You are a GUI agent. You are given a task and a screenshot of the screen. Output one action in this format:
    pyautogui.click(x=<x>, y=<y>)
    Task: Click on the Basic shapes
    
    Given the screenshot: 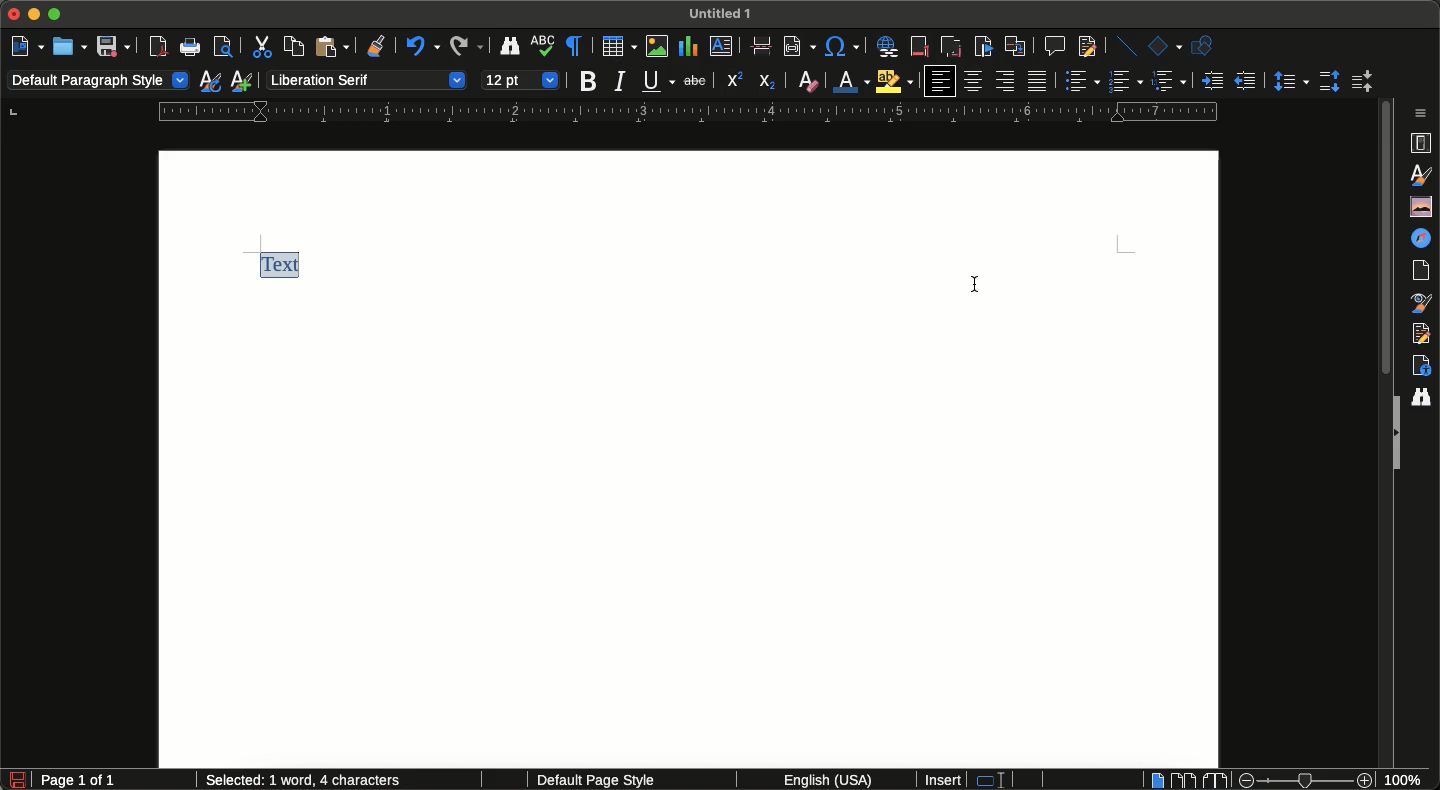 What is the action you would take?
    pyautogui.click(x=1164, y=46)
    